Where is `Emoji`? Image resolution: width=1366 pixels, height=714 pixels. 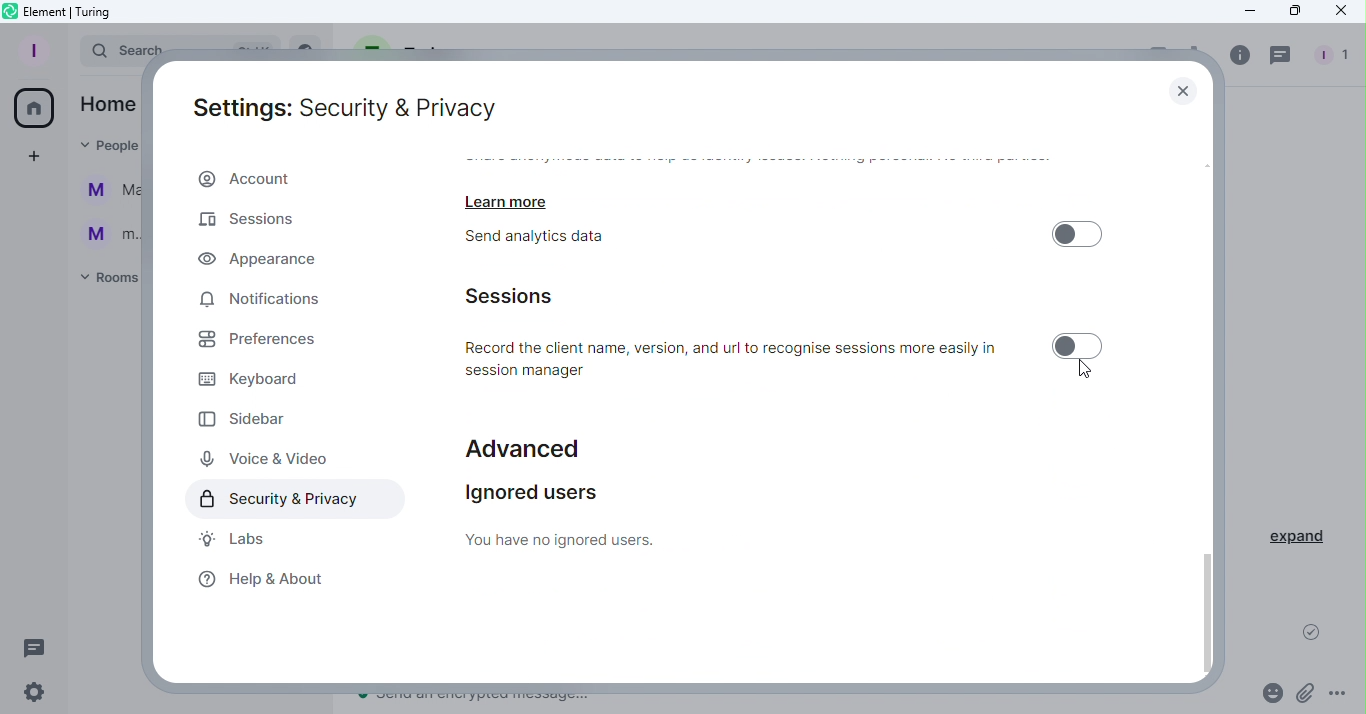
Emoji is located at coordinates (1270, 692).